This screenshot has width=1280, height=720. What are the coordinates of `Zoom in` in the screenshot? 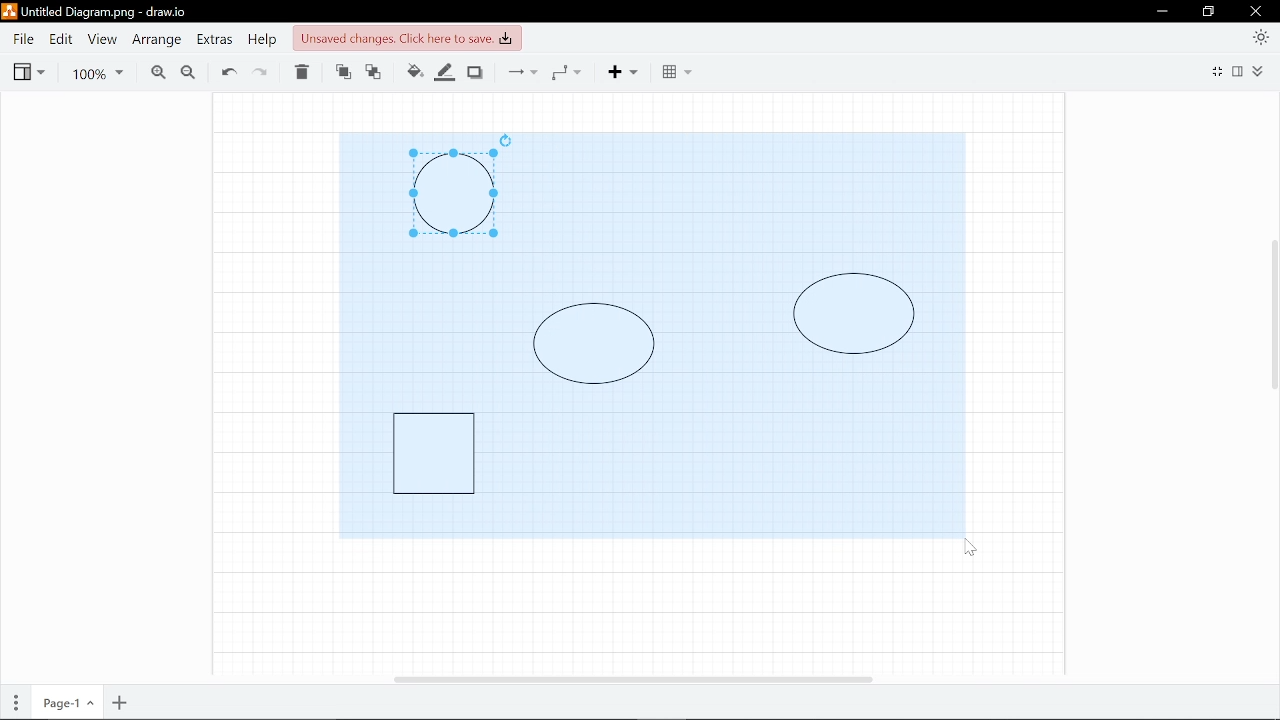 It's located at (154, 71).